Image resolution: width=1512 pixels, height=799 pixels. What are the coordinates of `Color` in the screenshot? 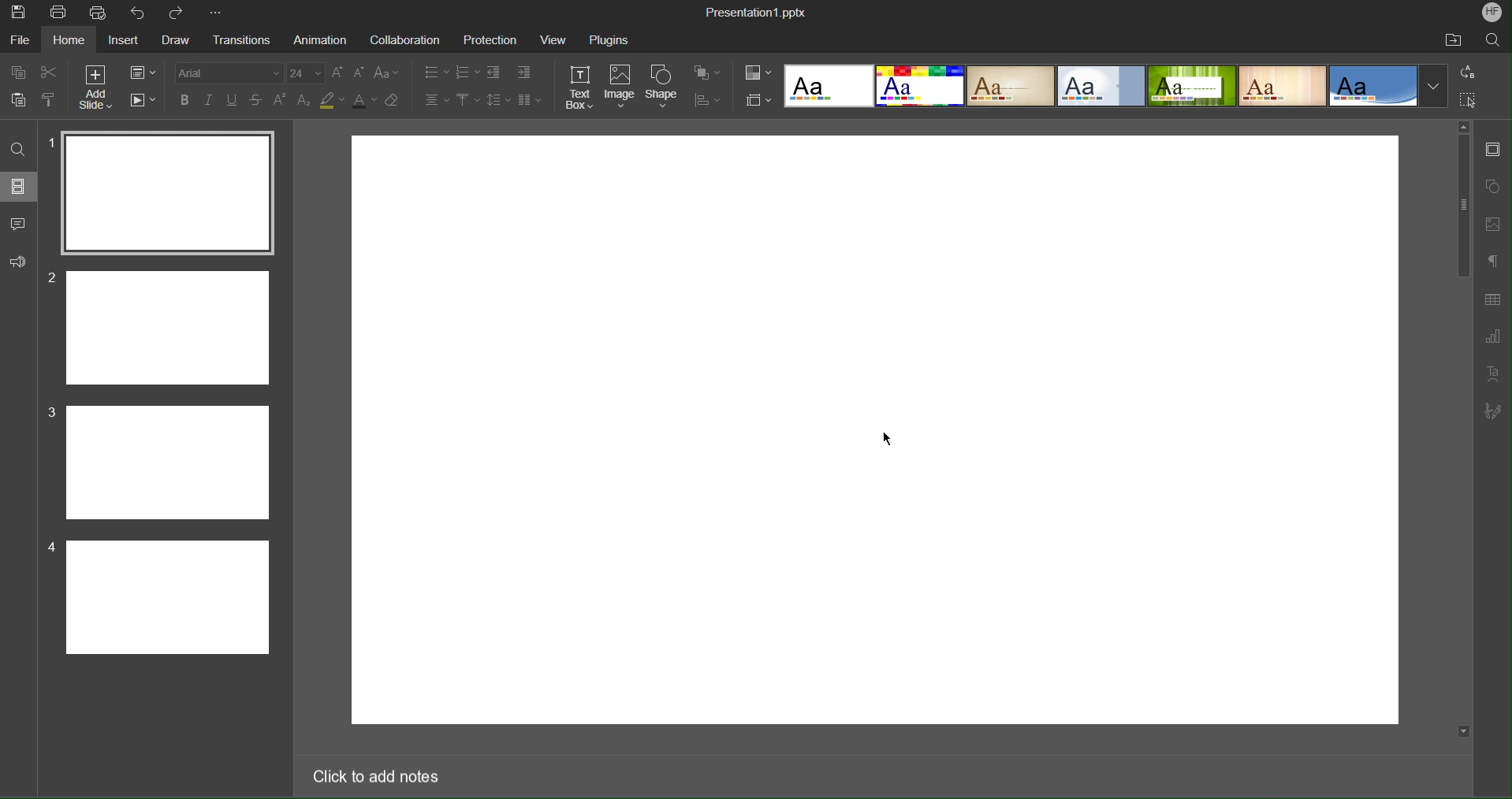 It's located at (758, 72).